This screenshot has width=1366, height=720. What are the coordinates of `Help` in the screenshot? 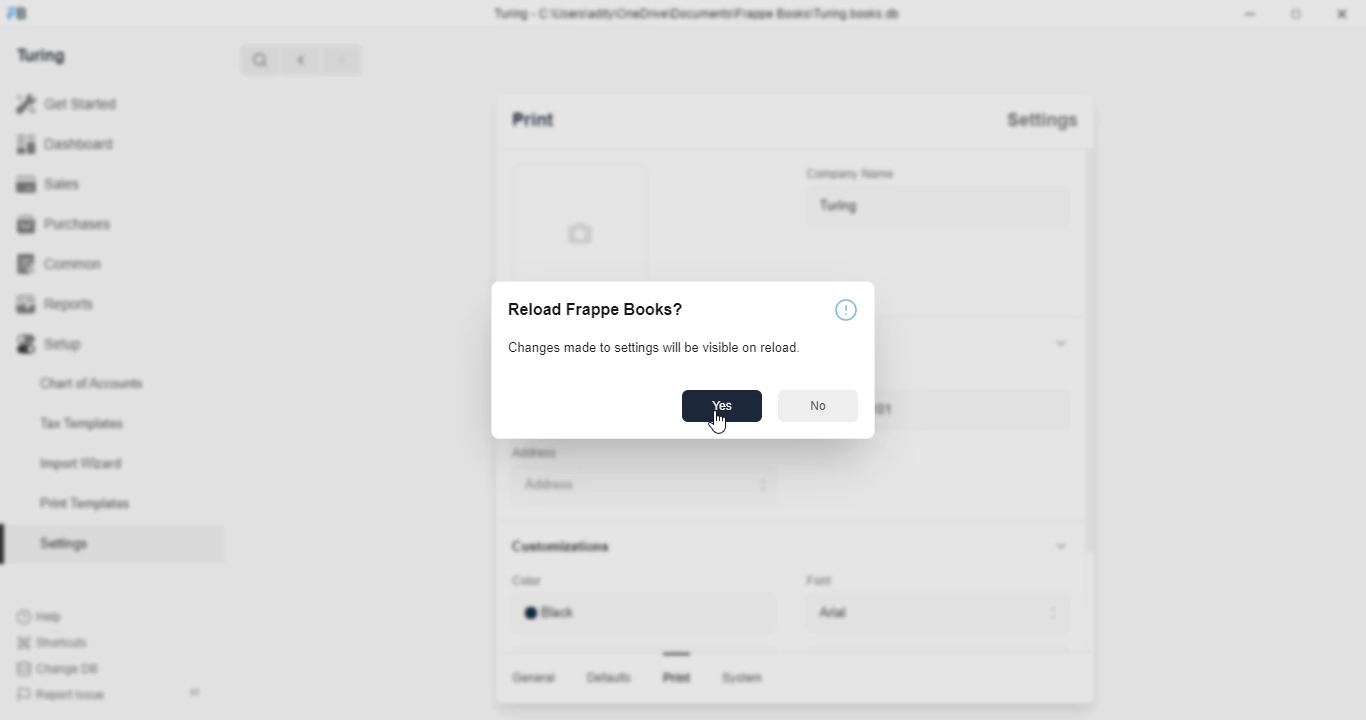 It's located at (43, 616).